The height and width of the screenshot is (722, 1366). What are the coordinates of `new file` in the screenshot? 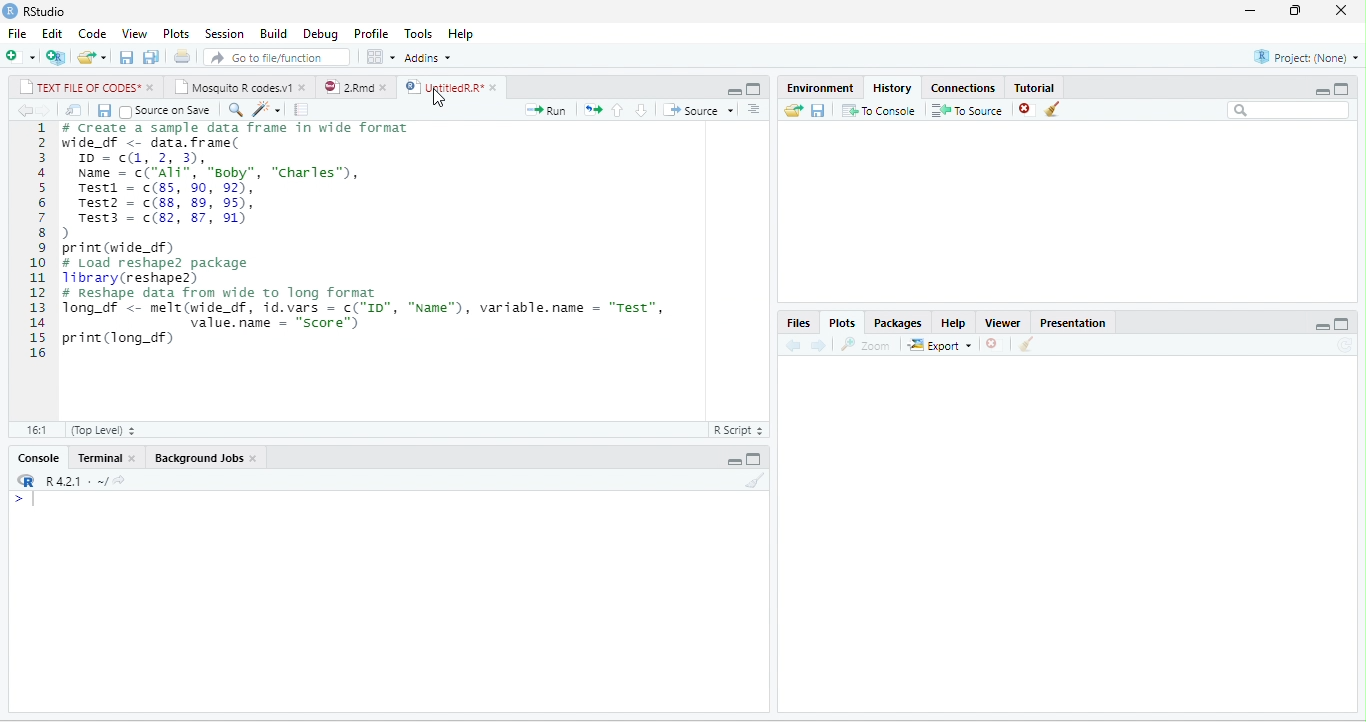 It's located at (20, 58).